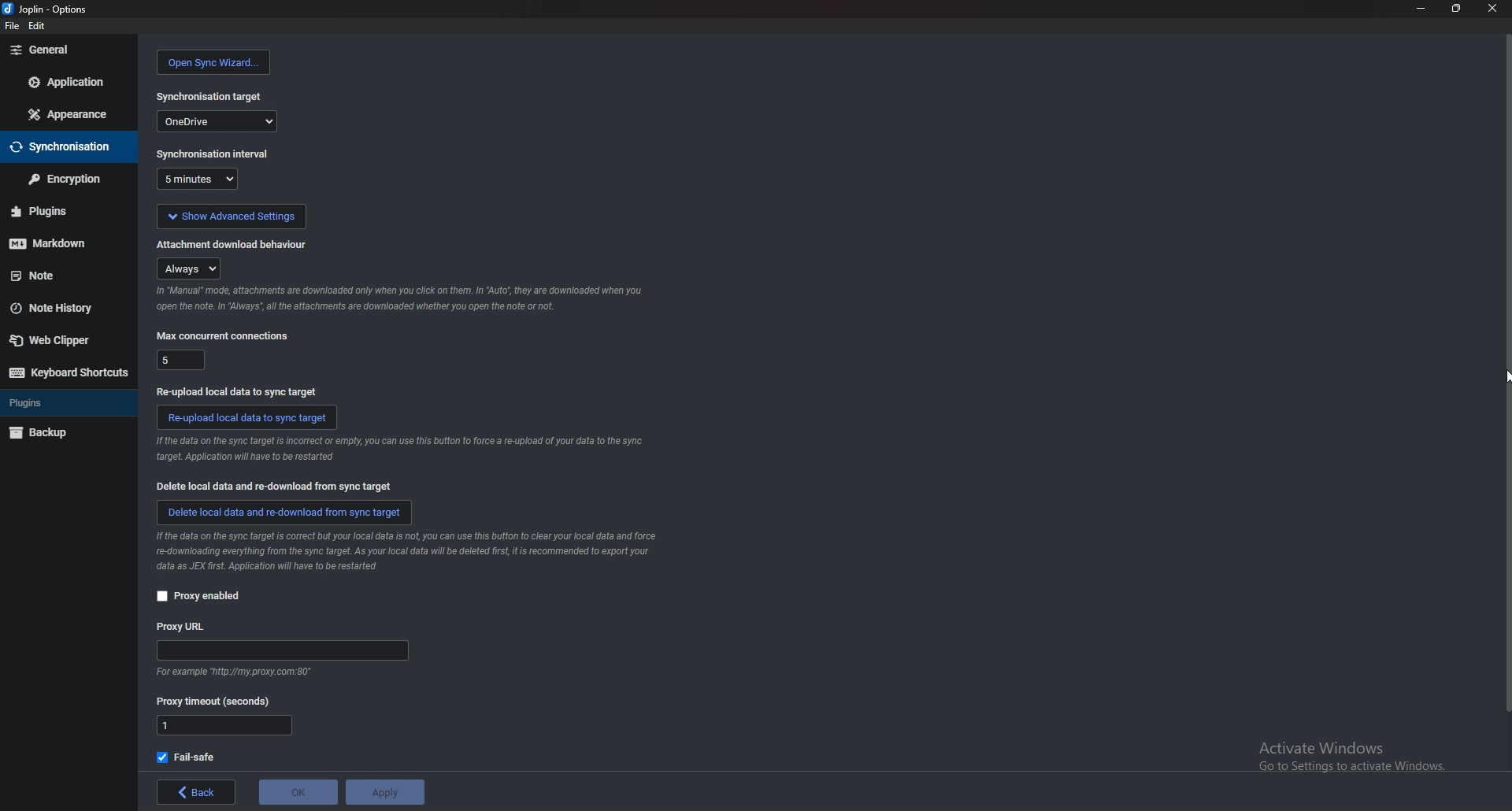 This screenshot has width=1512, height=811. I want to click on web clipper, so click(62, 342).